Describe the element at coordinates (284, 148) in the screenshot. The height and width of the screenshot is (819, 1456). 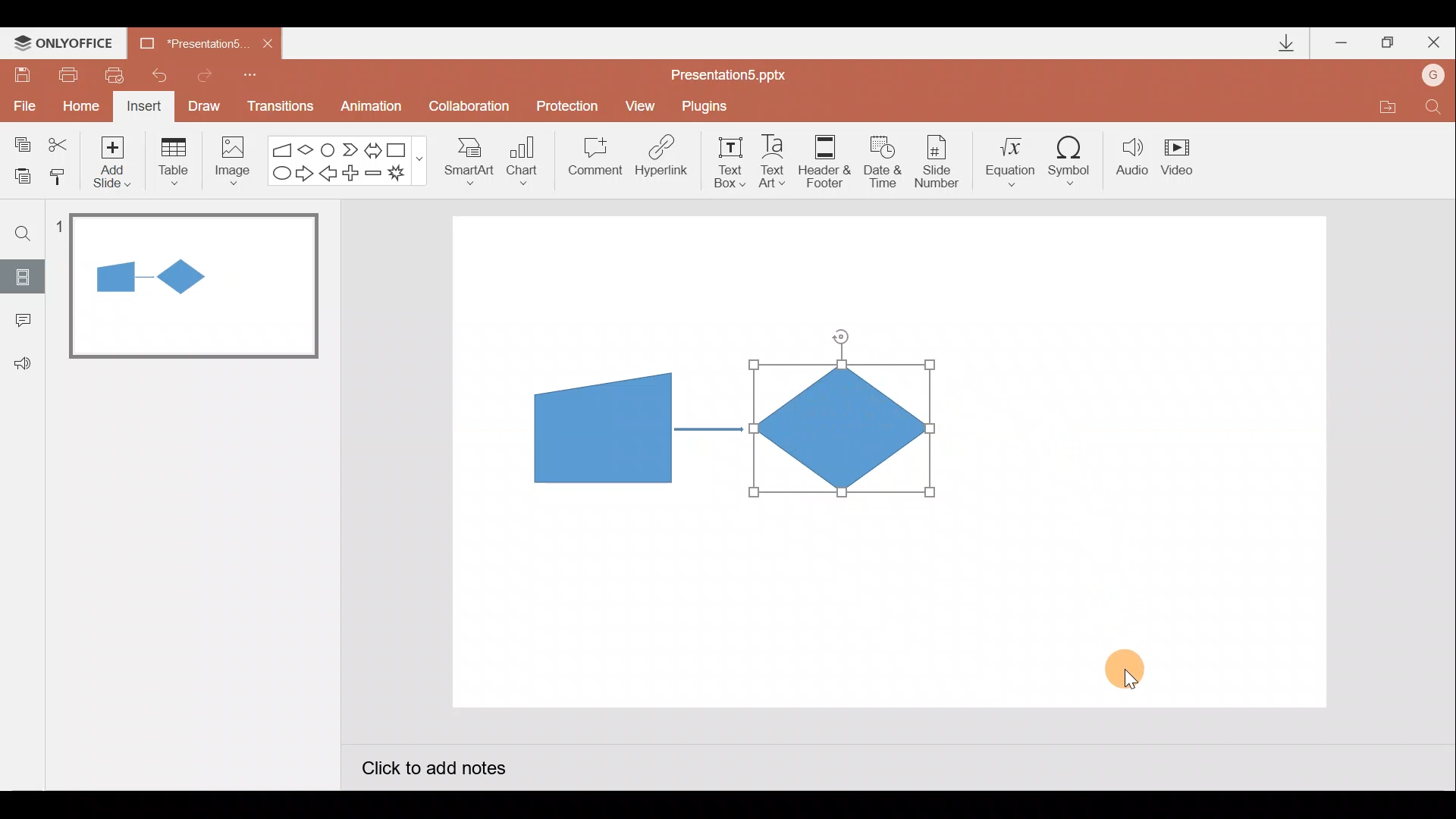
I see `Flowchart - manual input` at that location.